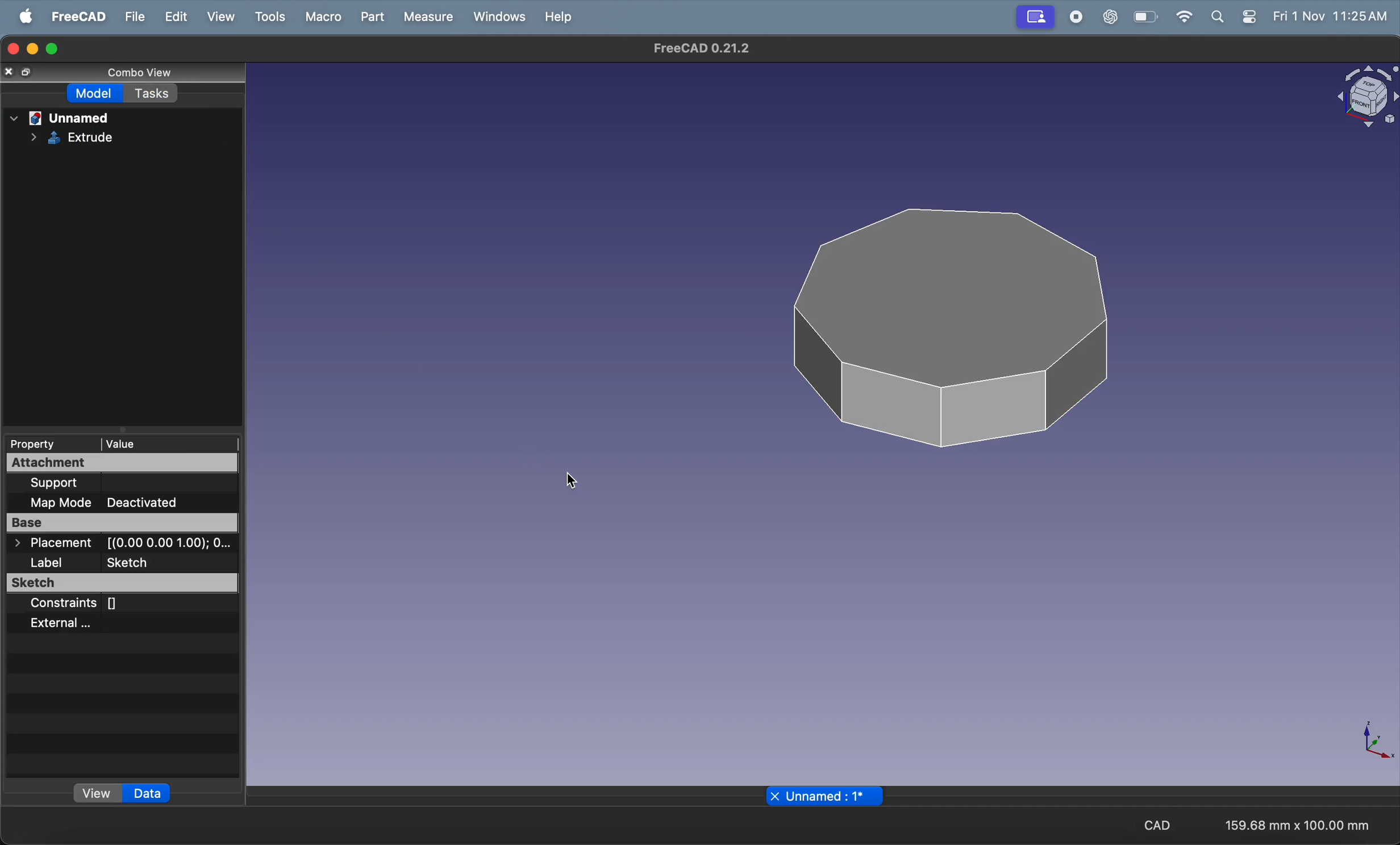 Image resolution: width=1400 pixels, height=845 pixels. What do you see at coordinates (219, 17) in the screenshot?
I see `view` at bounding box center [219, 17].